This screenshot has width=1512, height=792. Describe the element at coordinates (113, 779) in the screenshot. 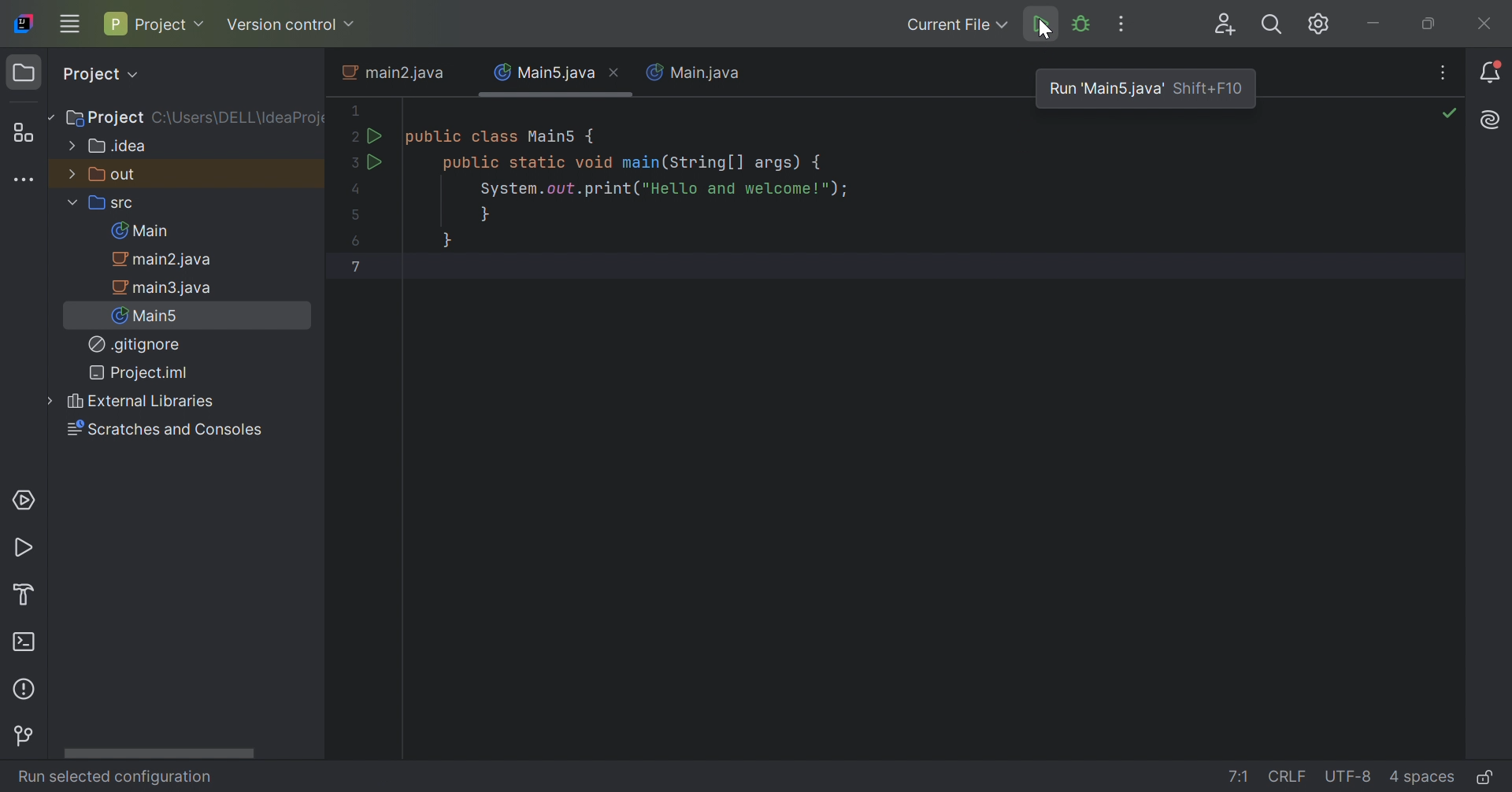

I see `Run selected configuration` at that location.